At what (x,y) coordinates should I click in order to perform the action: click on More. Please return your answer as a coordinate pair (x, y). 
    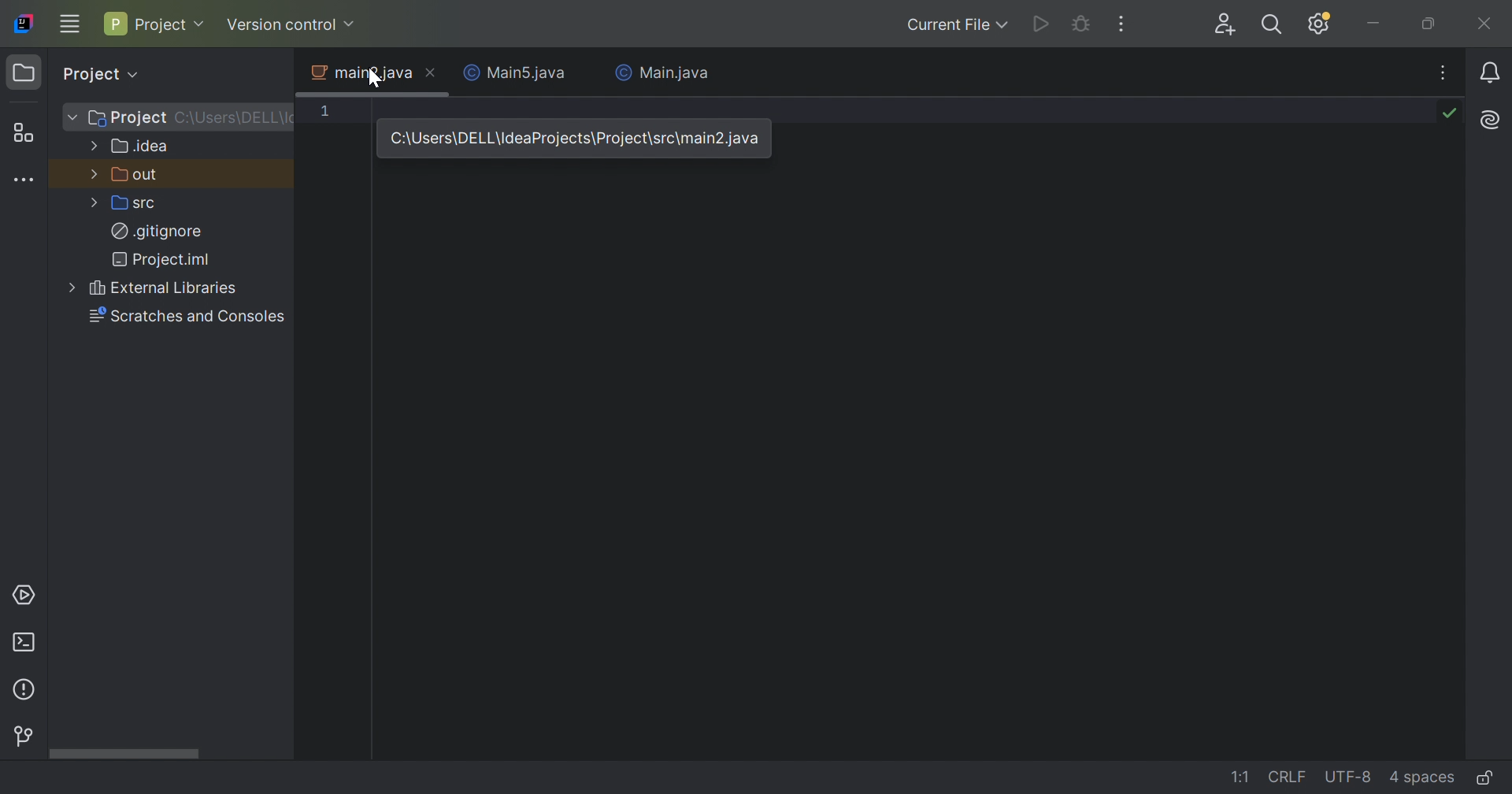
    Looking at the image, I should click on (72, 117).